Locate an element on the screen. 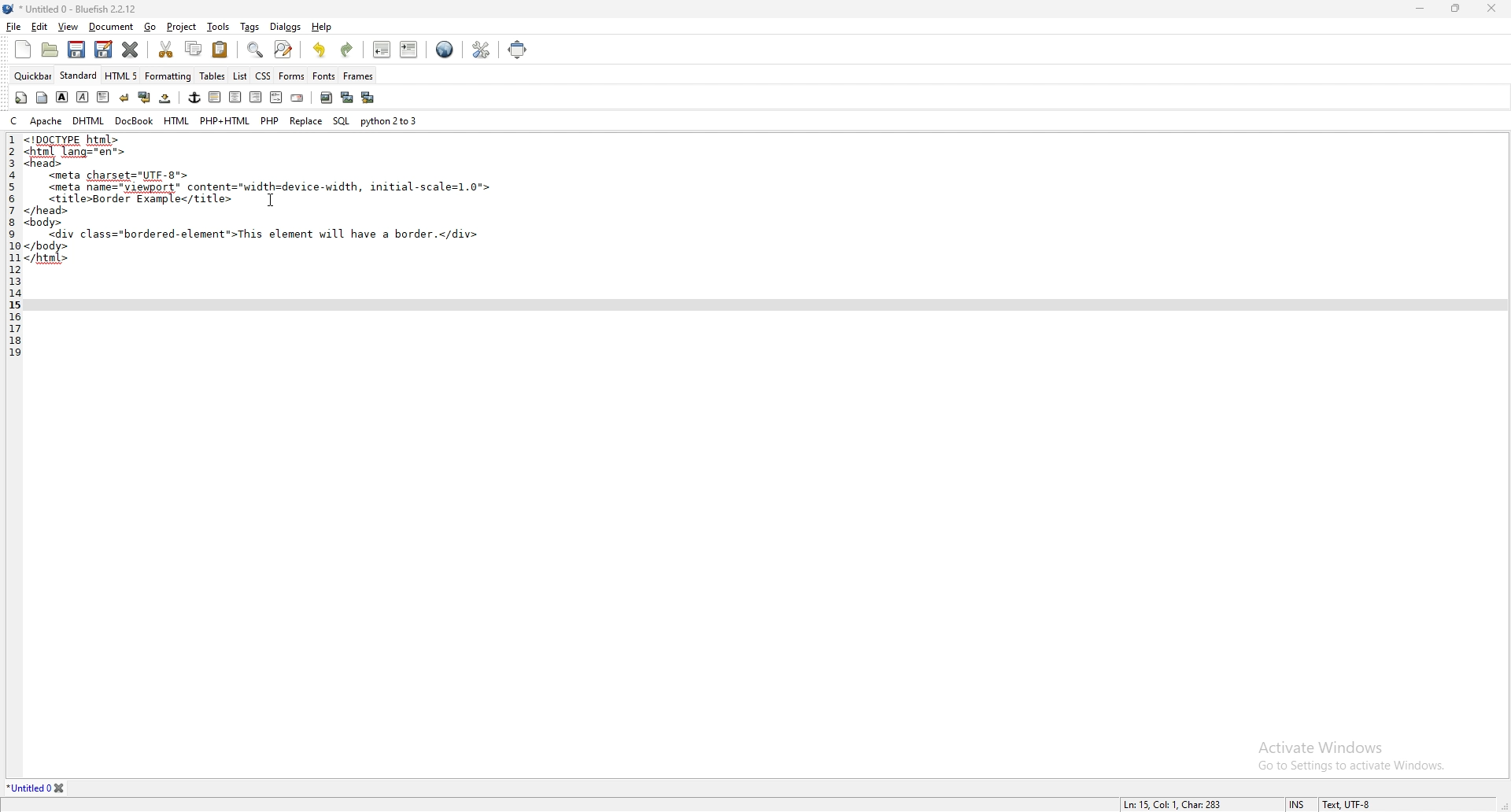  close current file is located at coordinates (130, 49).